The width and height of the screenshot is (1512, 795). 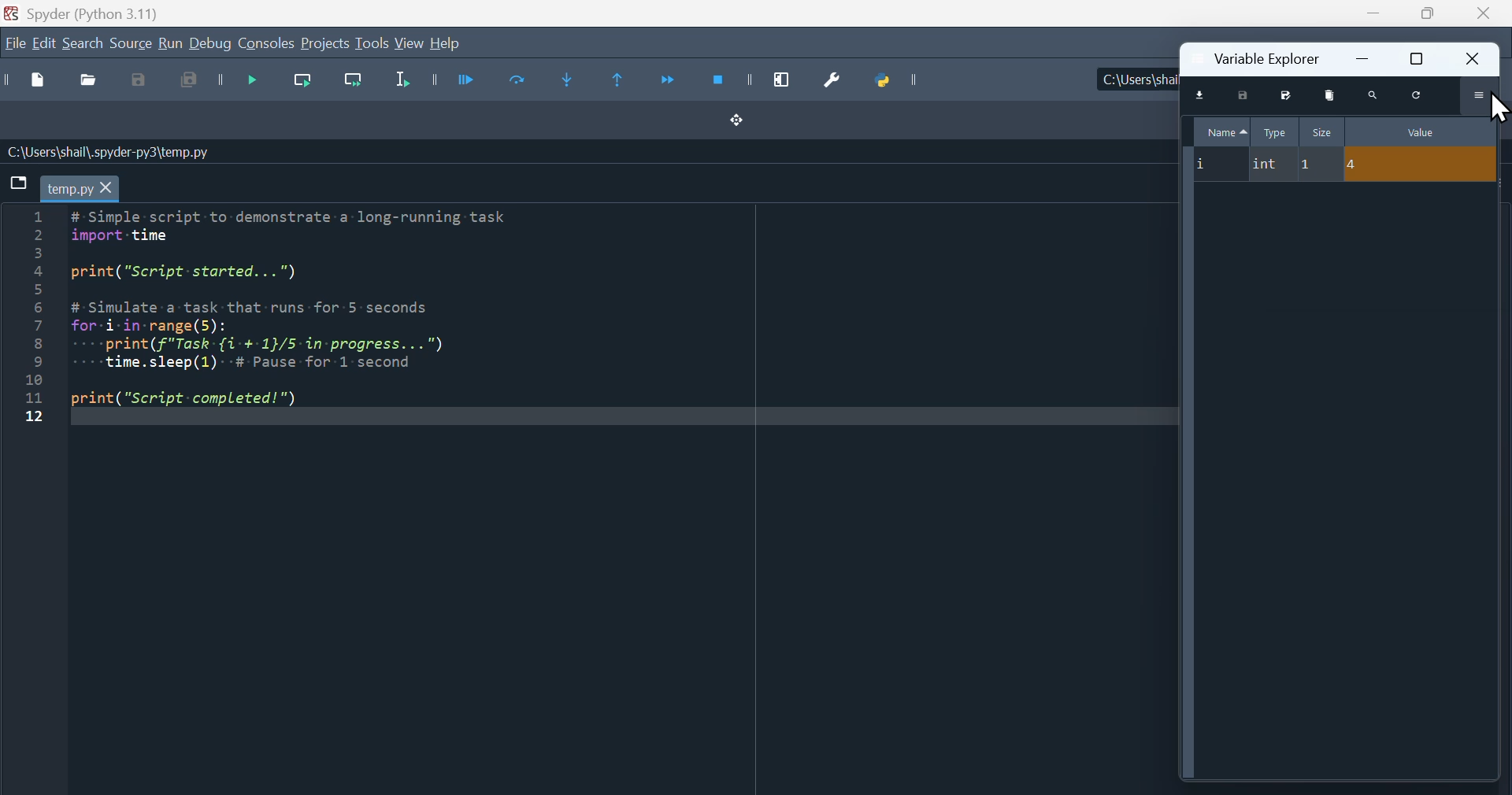 What do you see at coordinates (1421, 165) in the screenshot?
I see `4` at bounding box center [1421, 165].